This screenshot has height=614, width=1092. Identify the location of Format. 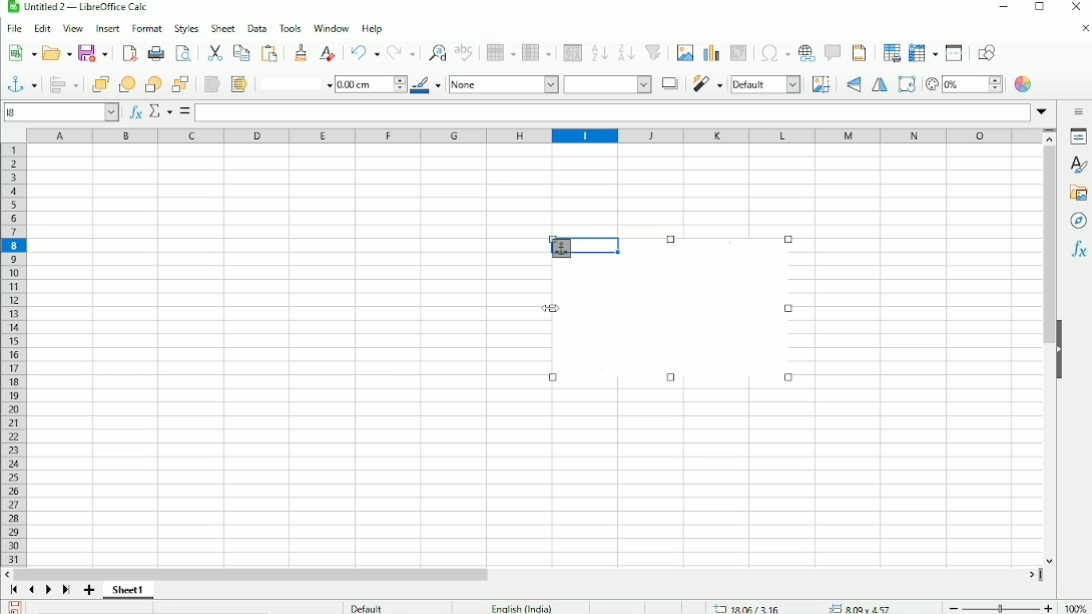
(148, 29).